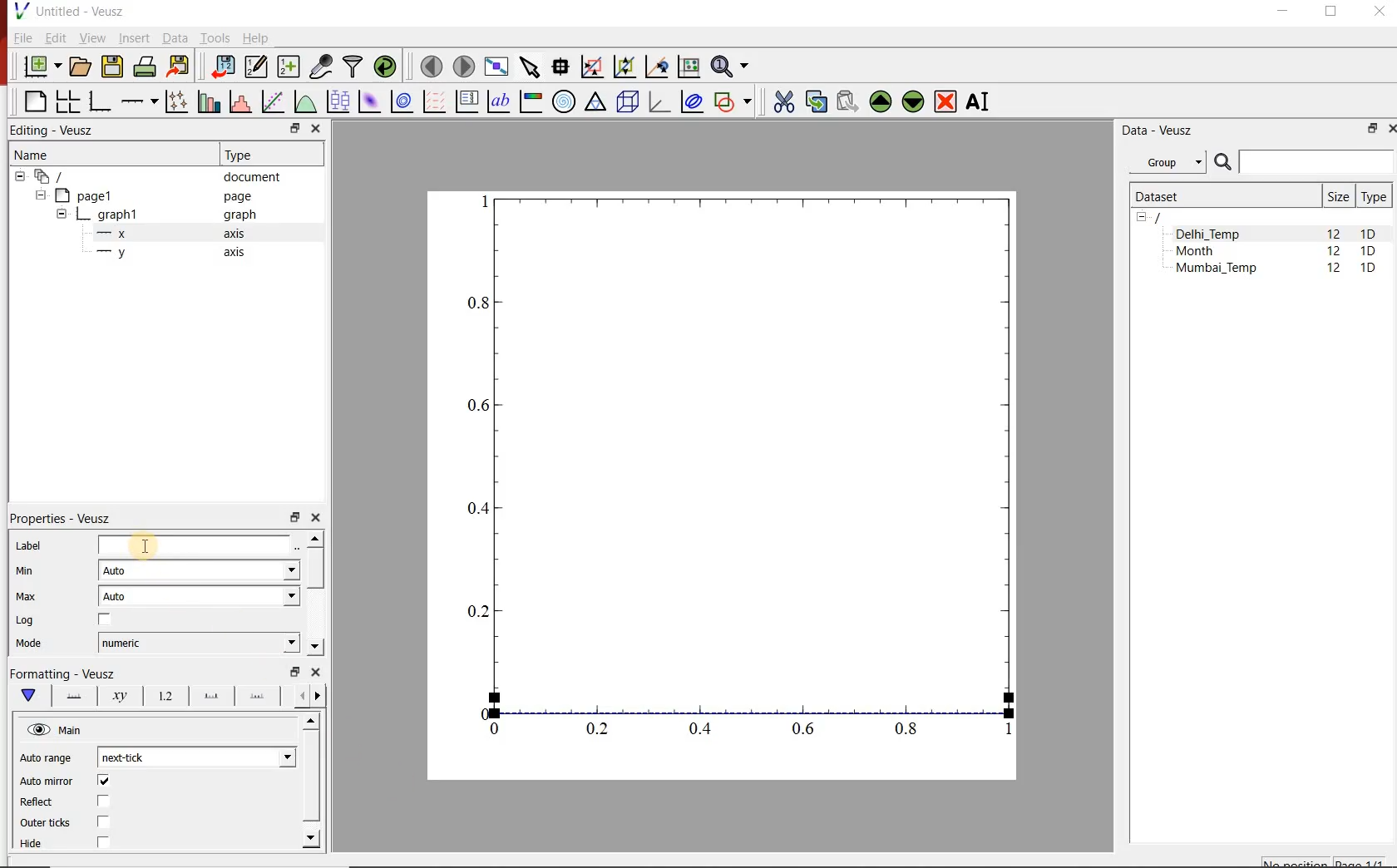 This screenshot has width=1397, height=868. I want to click on reload linked datasets, so click(385, 65).